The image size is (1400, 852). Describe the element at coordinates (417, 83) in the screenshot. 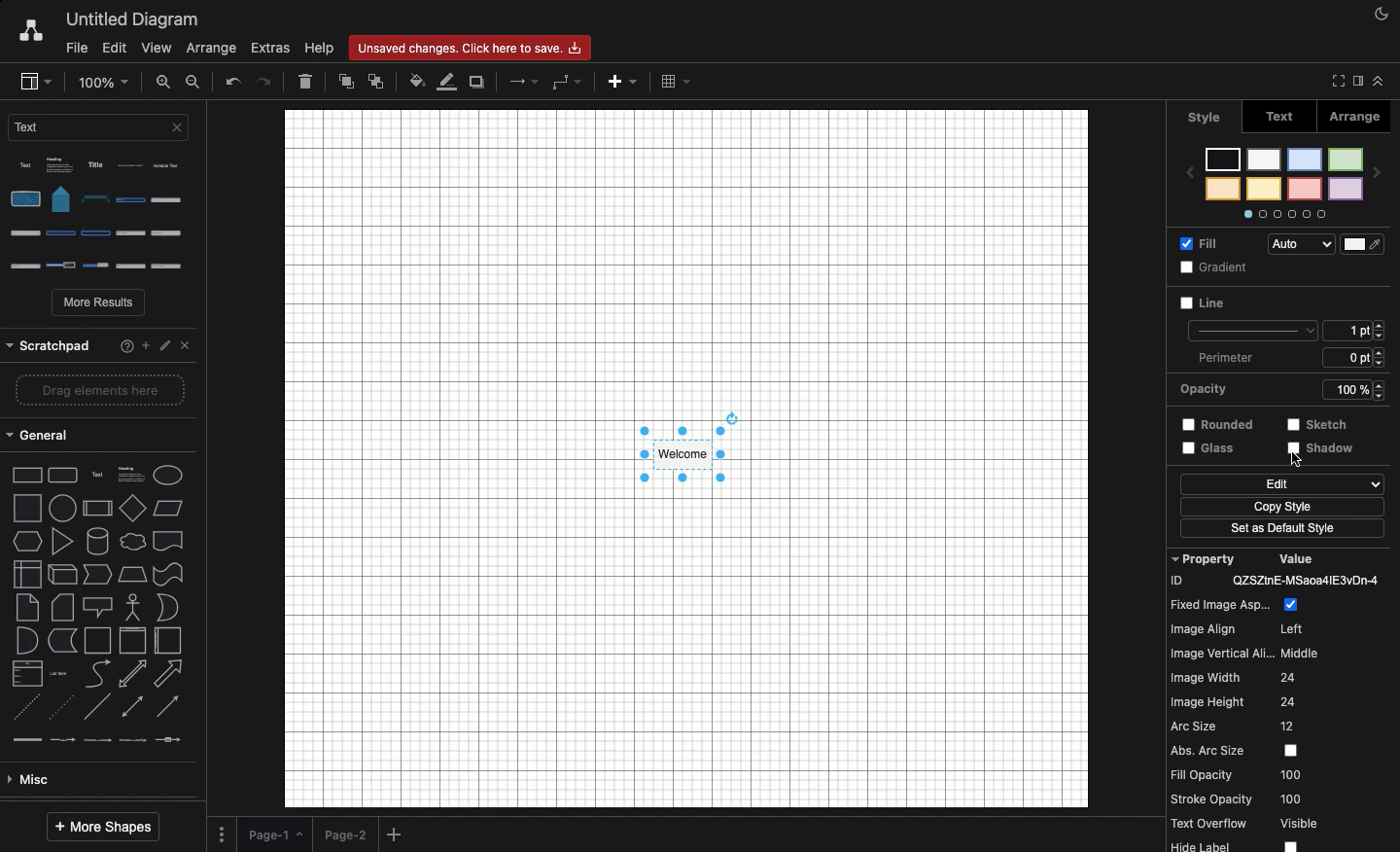

I see `Fill color` at that location.